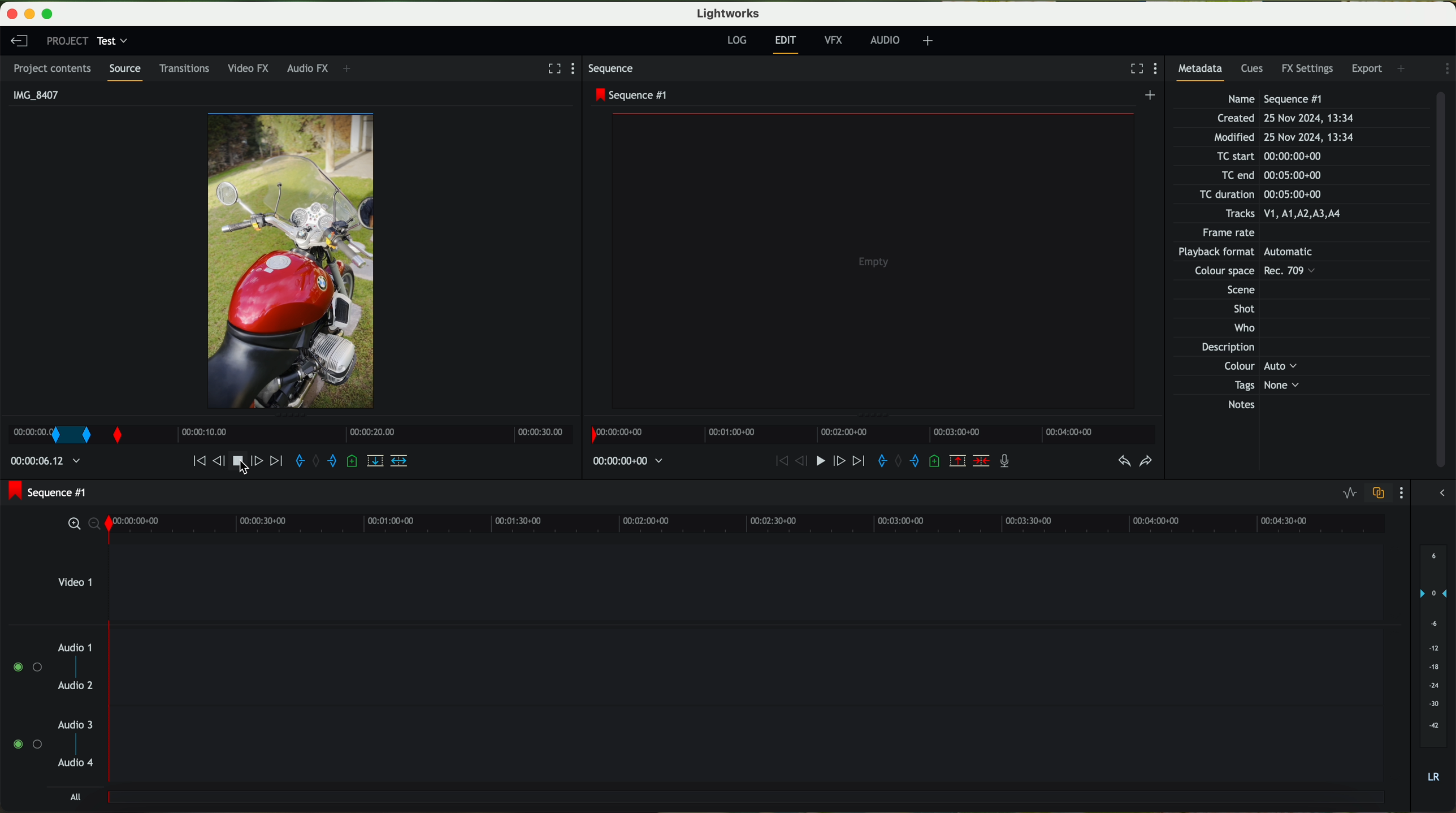  I want to click on video preview, so click(873, 260).